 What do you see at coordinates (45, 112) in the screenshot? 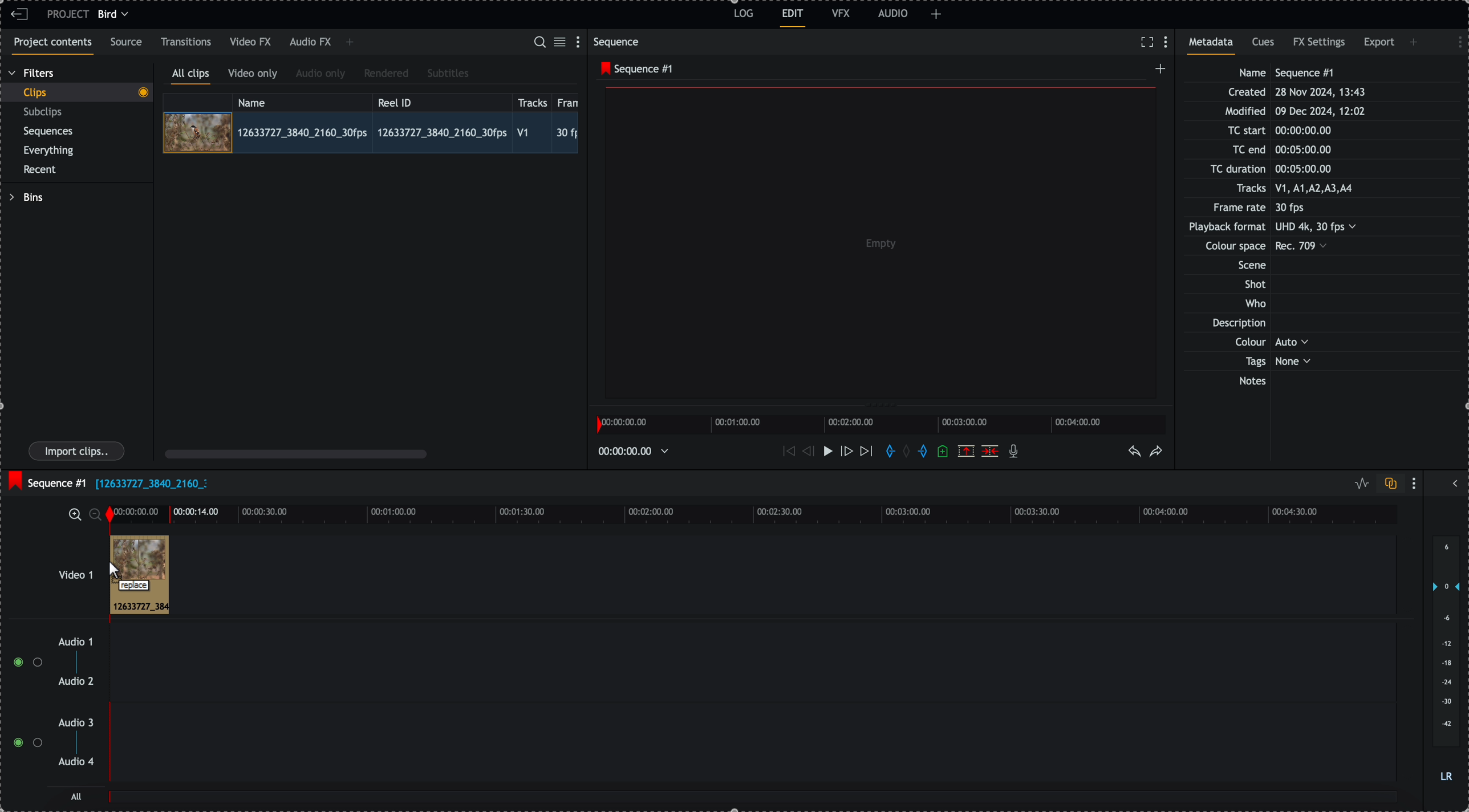
I see `subclips` at bounding box center [45, 112].